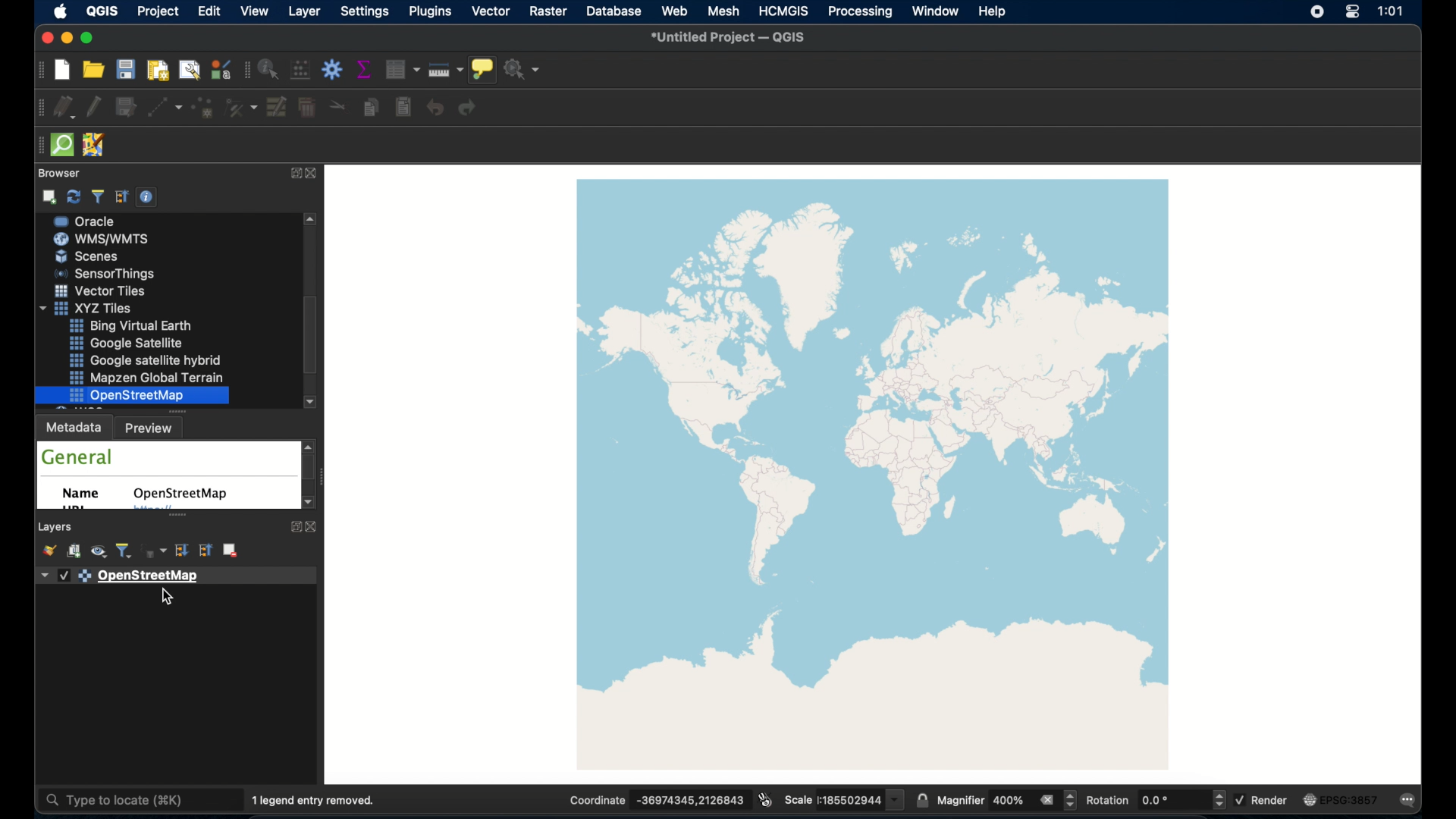 The height and width of the screenshot is (819, 1456). Describe the element at coordinates (158, 71) in the screenshot. I see `new print layout` at that location.